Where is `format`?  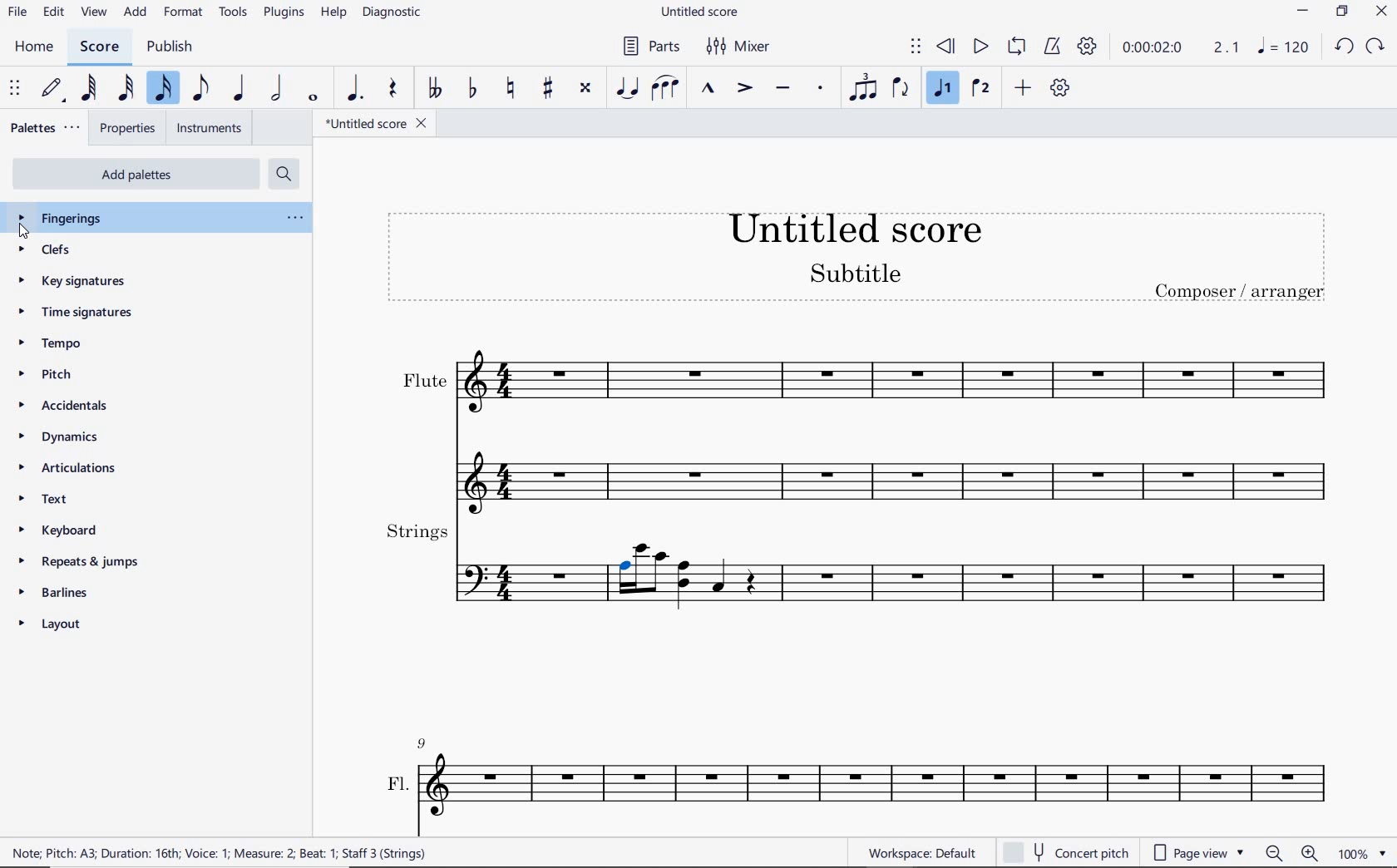
format is located at coordinates (186, 13).